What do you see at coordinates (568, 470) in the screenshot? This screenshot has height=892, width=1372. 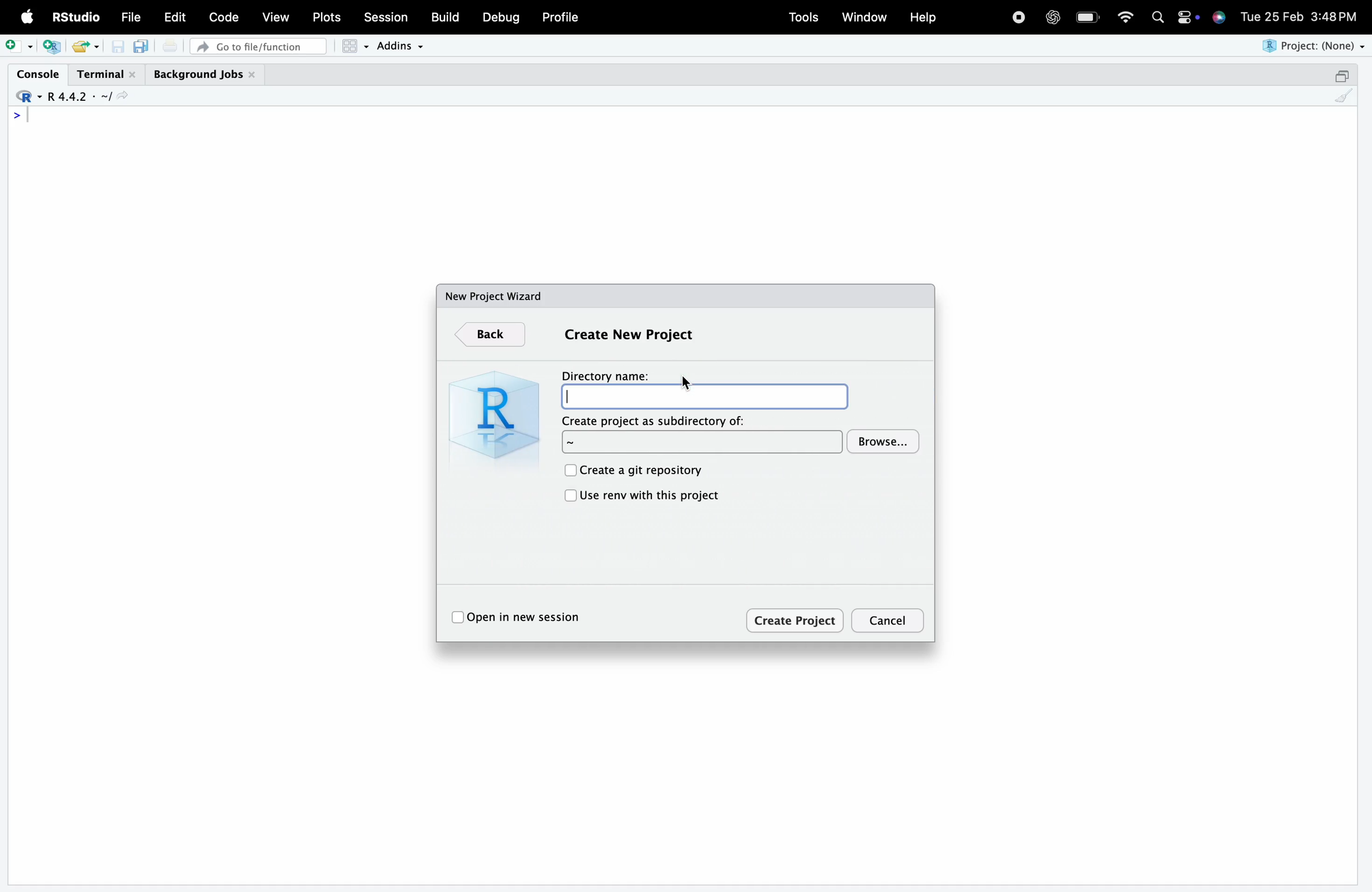 I see `checkbox` at bounding box center [568, 470].